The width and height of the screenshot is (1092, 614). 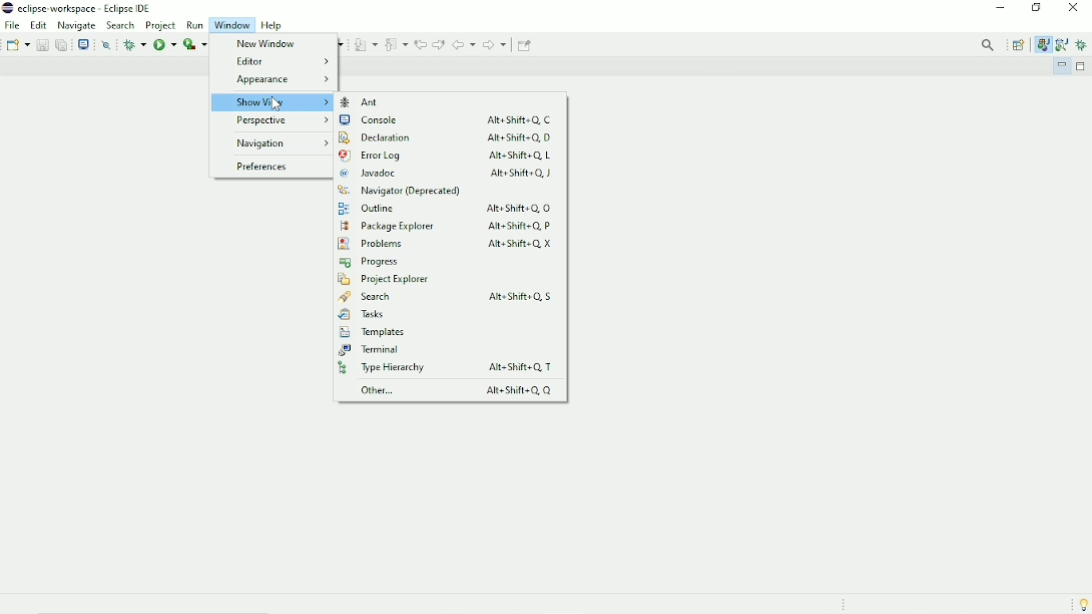 What do you see at coordinates (92, 7) in the screenshot?
I see `eclipse-workspace - eclipse ide` at bounding box center [92, 7].